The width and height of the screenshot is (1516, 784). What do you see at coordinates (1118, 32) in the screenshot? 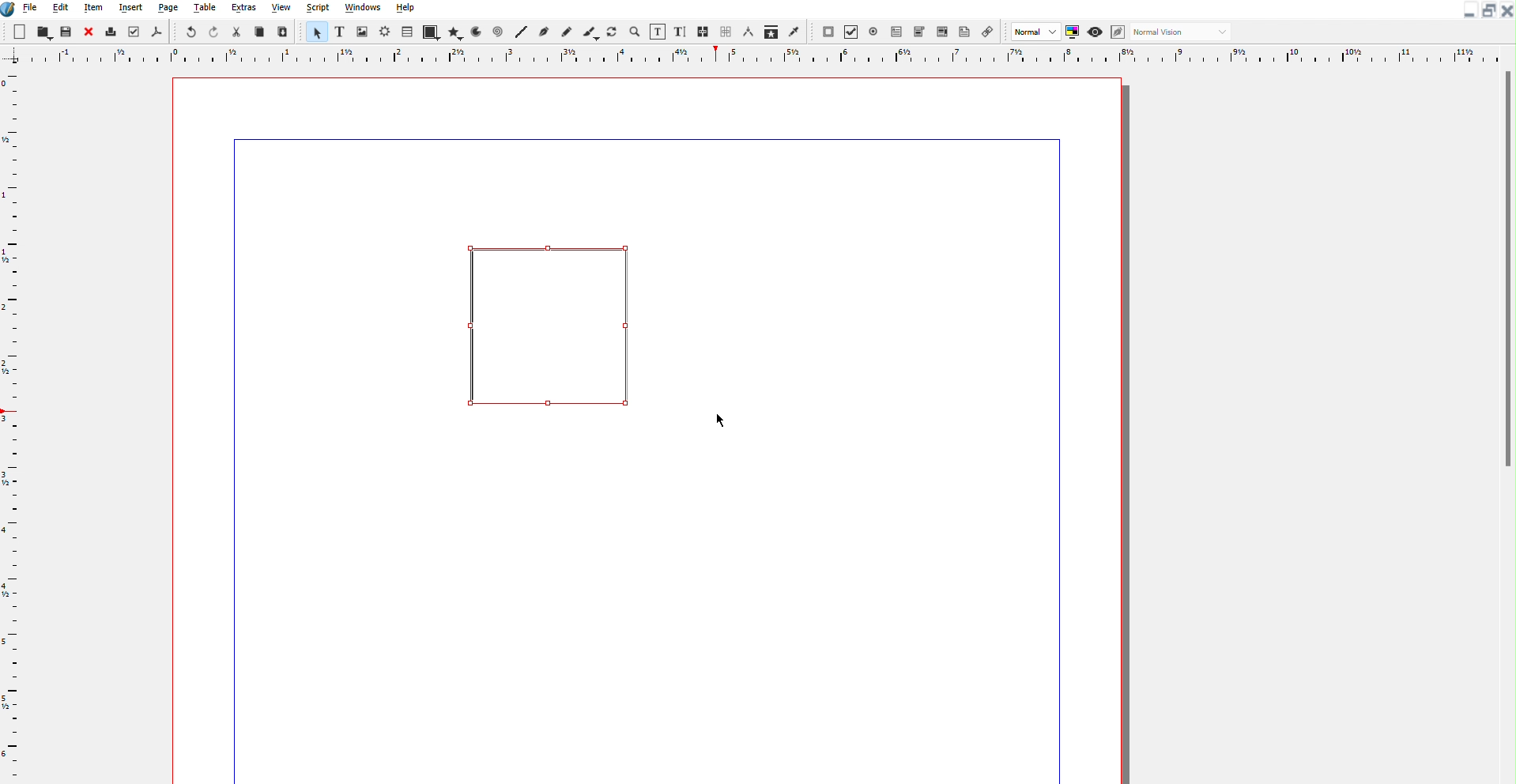
I see `Edit in Preview Mode` at bounding box center [1118, 32].